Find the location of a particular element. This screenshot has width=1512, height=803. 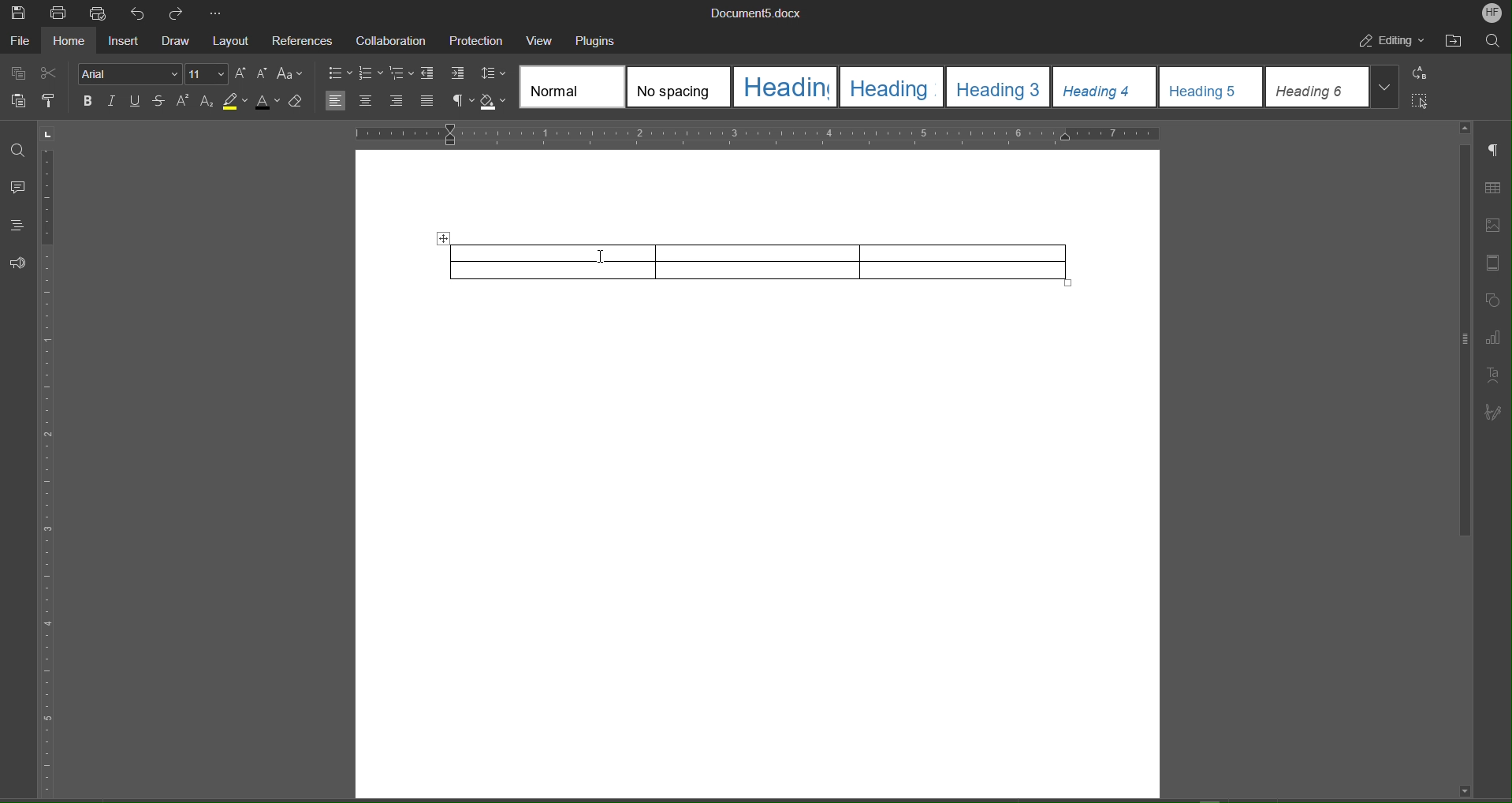

Horizontal Ruler is located at coordinates (757, 133).